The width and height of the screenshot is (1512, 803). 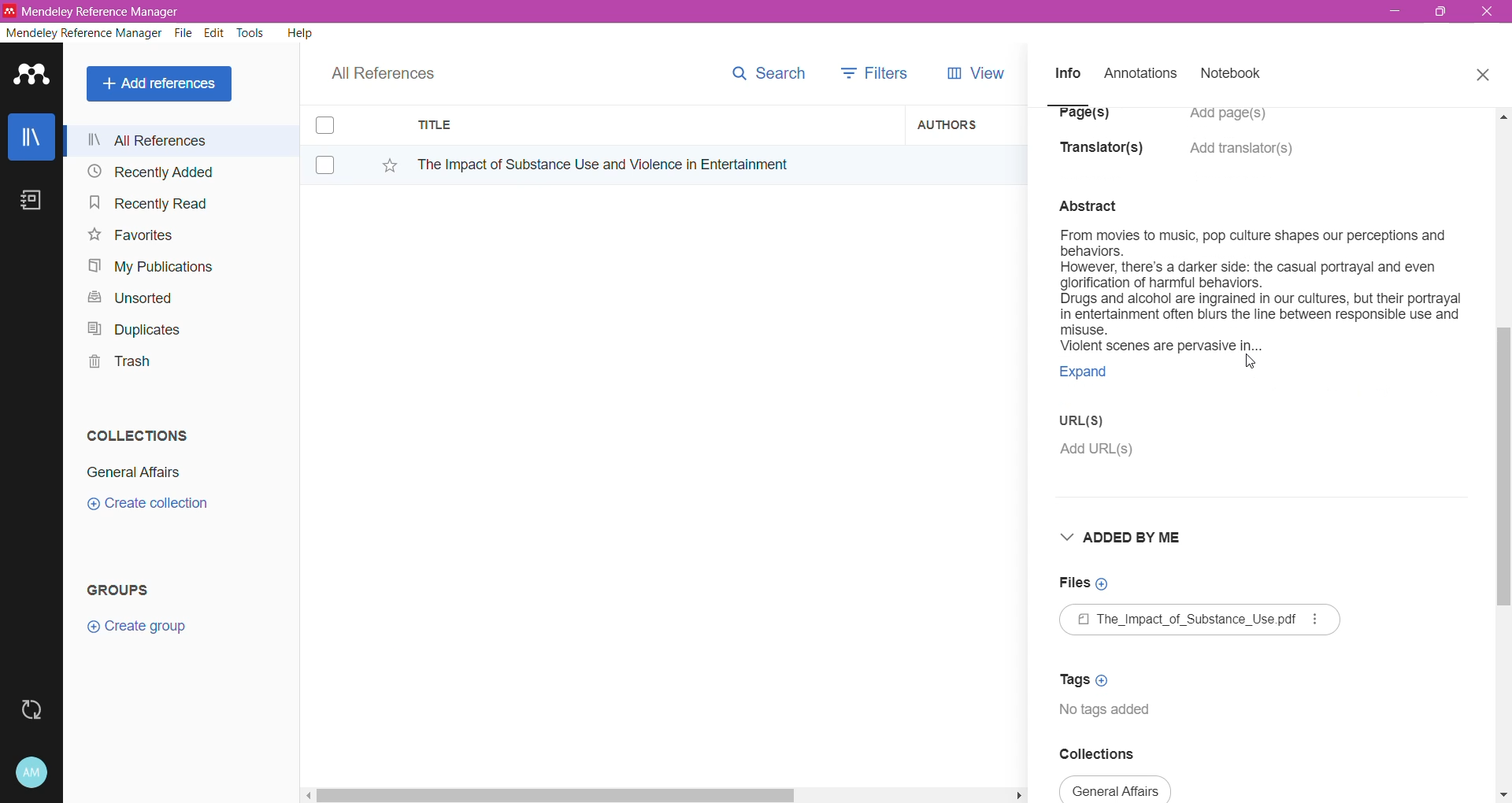 I want to click on Collections, so click(x=1106, y=757).